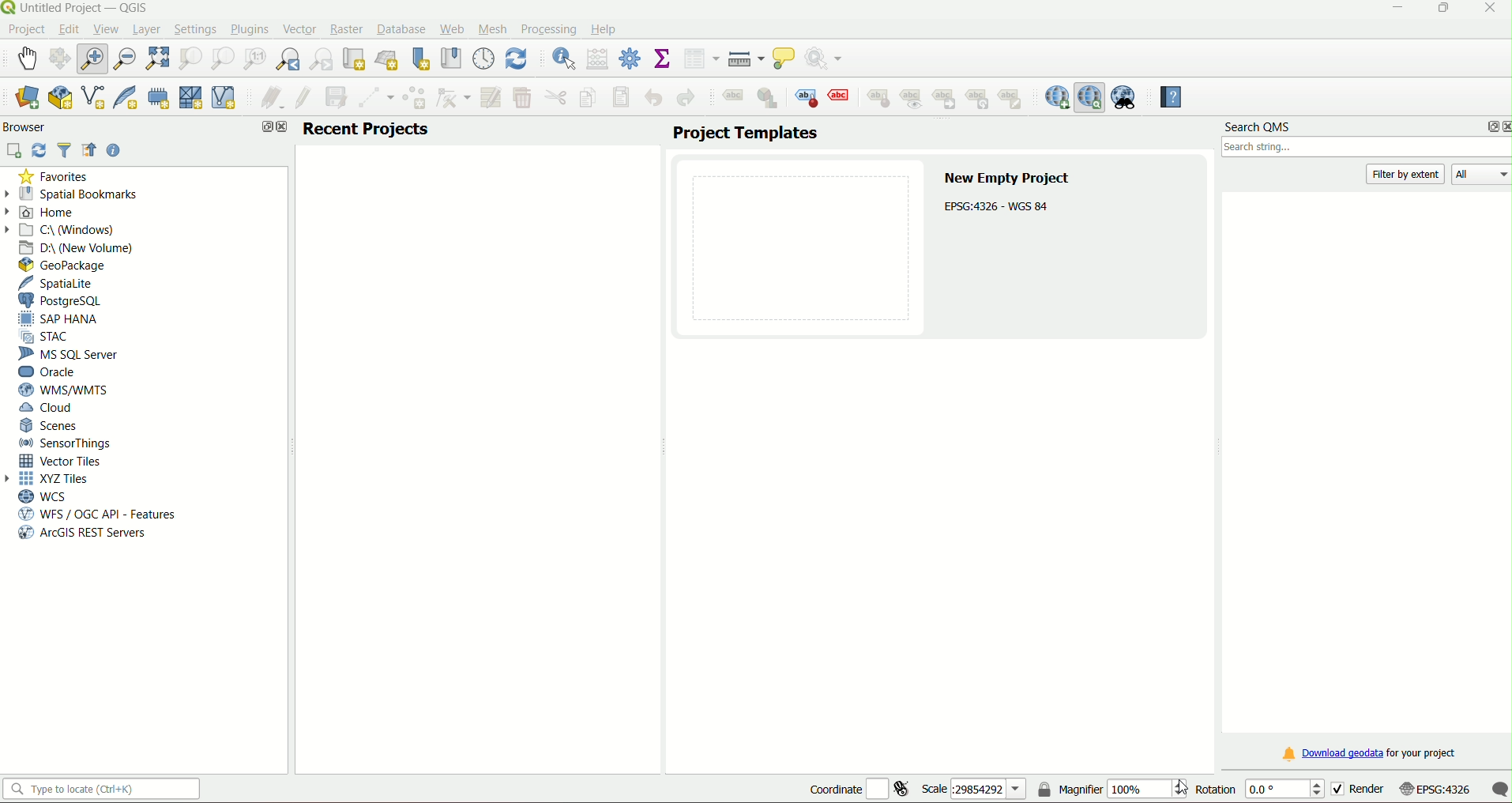 The image size is (1512, 803). Describe the element at coordinates (337, 97) in the screenshot. I see `save layer edit` at that location.